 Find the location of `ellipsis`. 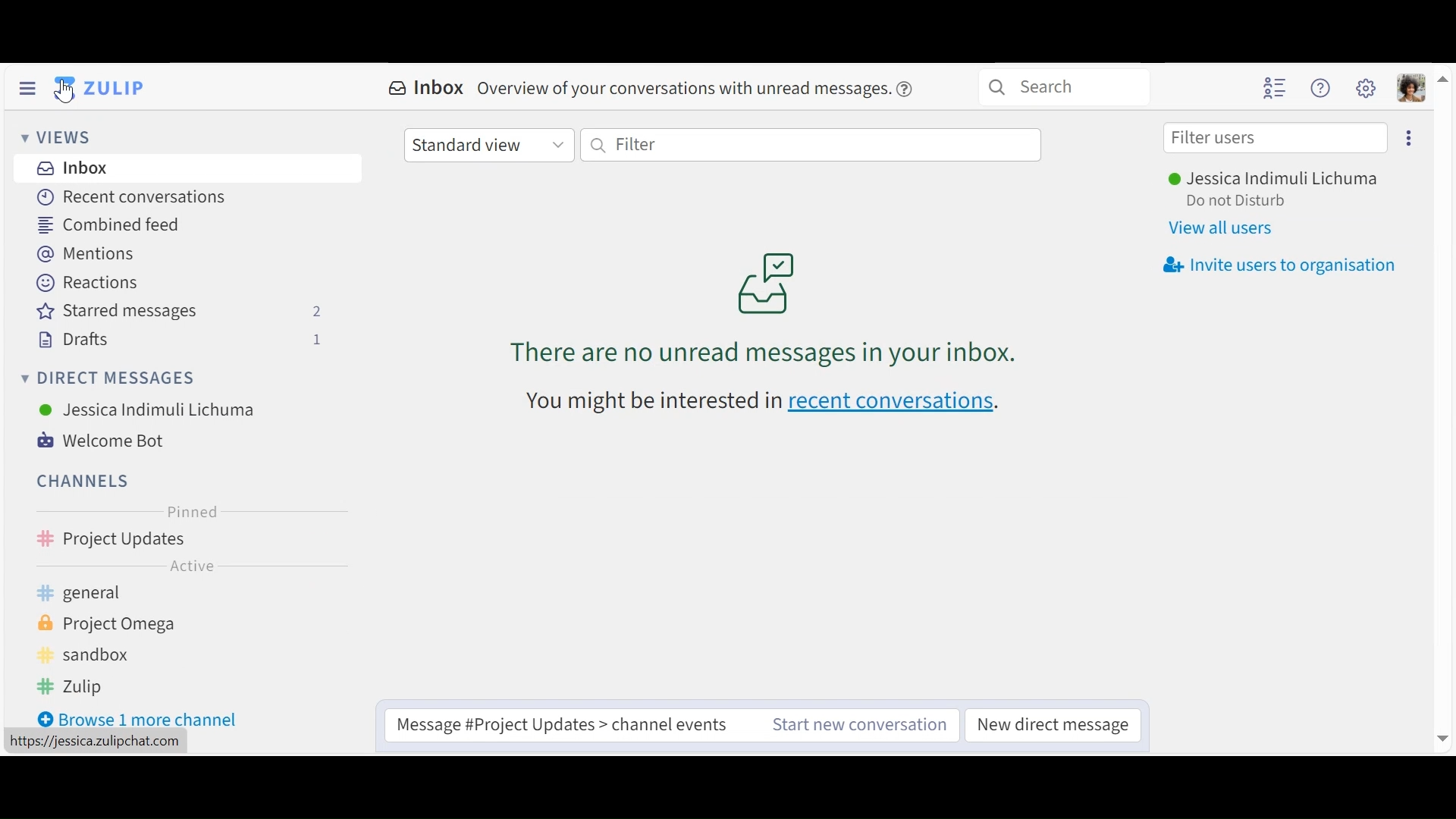

ellipsis is located at coordinates (347, 539).